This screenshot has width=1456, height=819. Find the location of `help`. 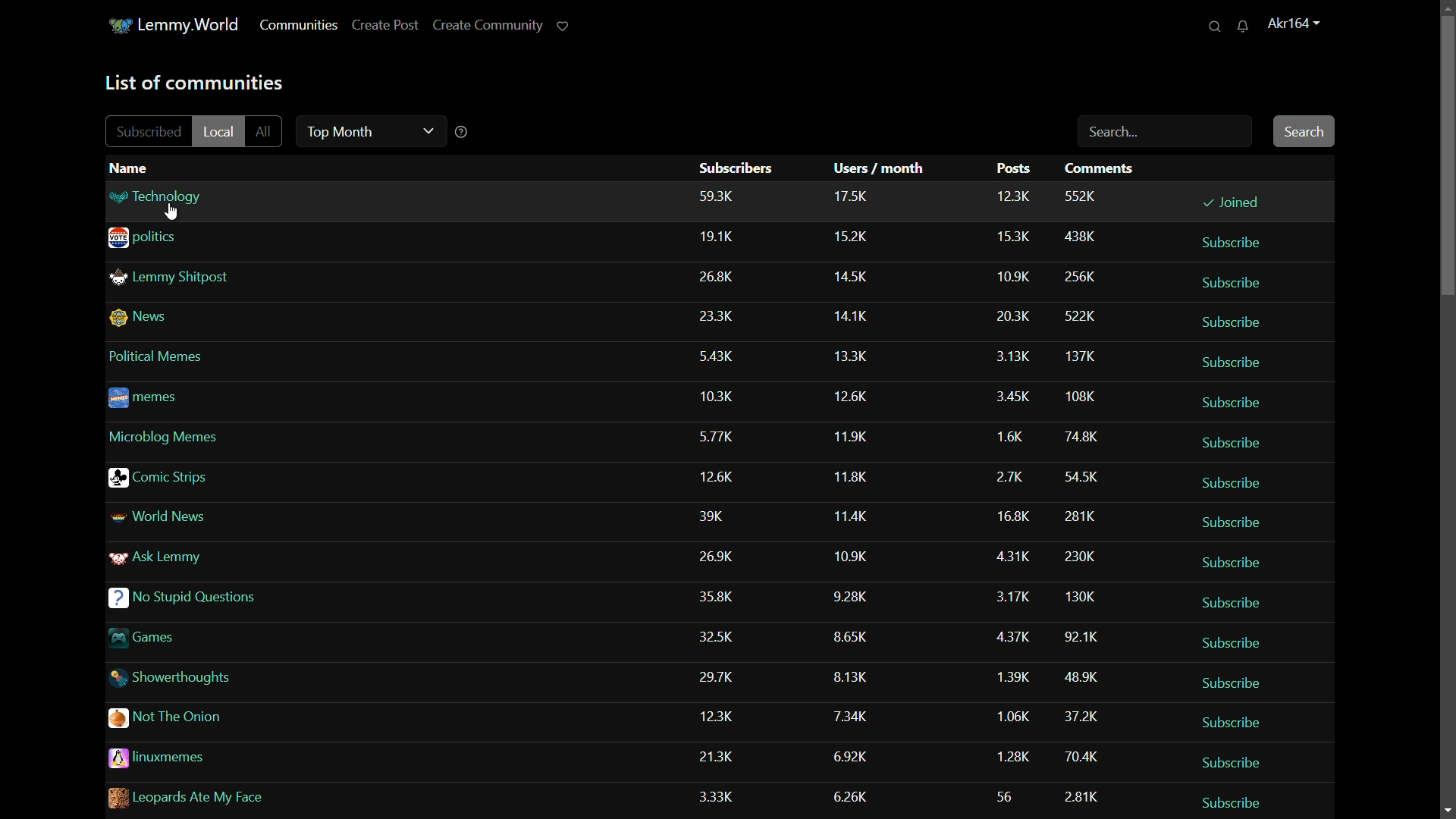

help is located at coordinates (464, 134).